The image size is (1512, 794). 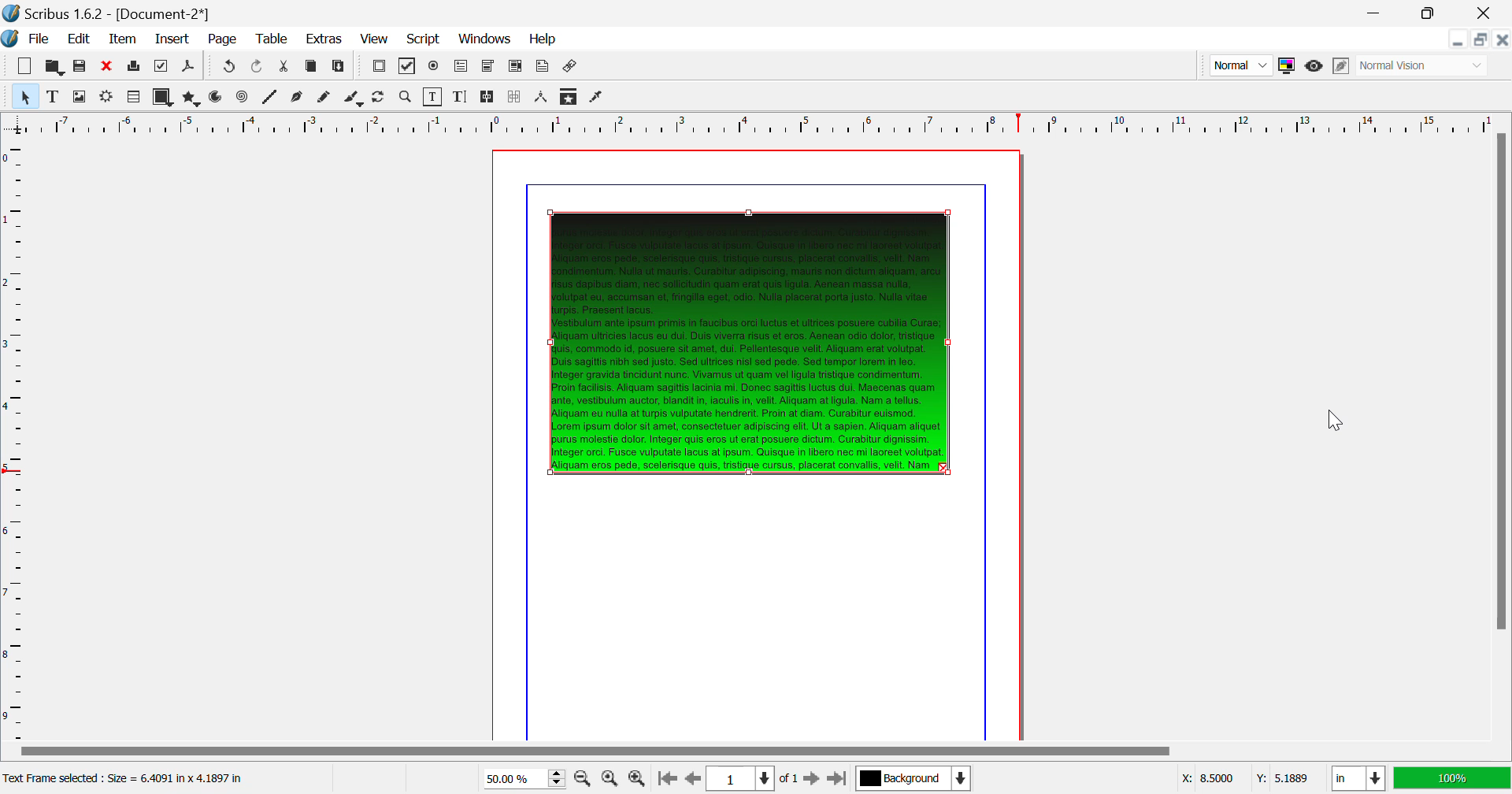 What do you see at coordinates (354, 99) in the screenshot?
I see `Calligraphic Line` at bounding box center [354, 99].